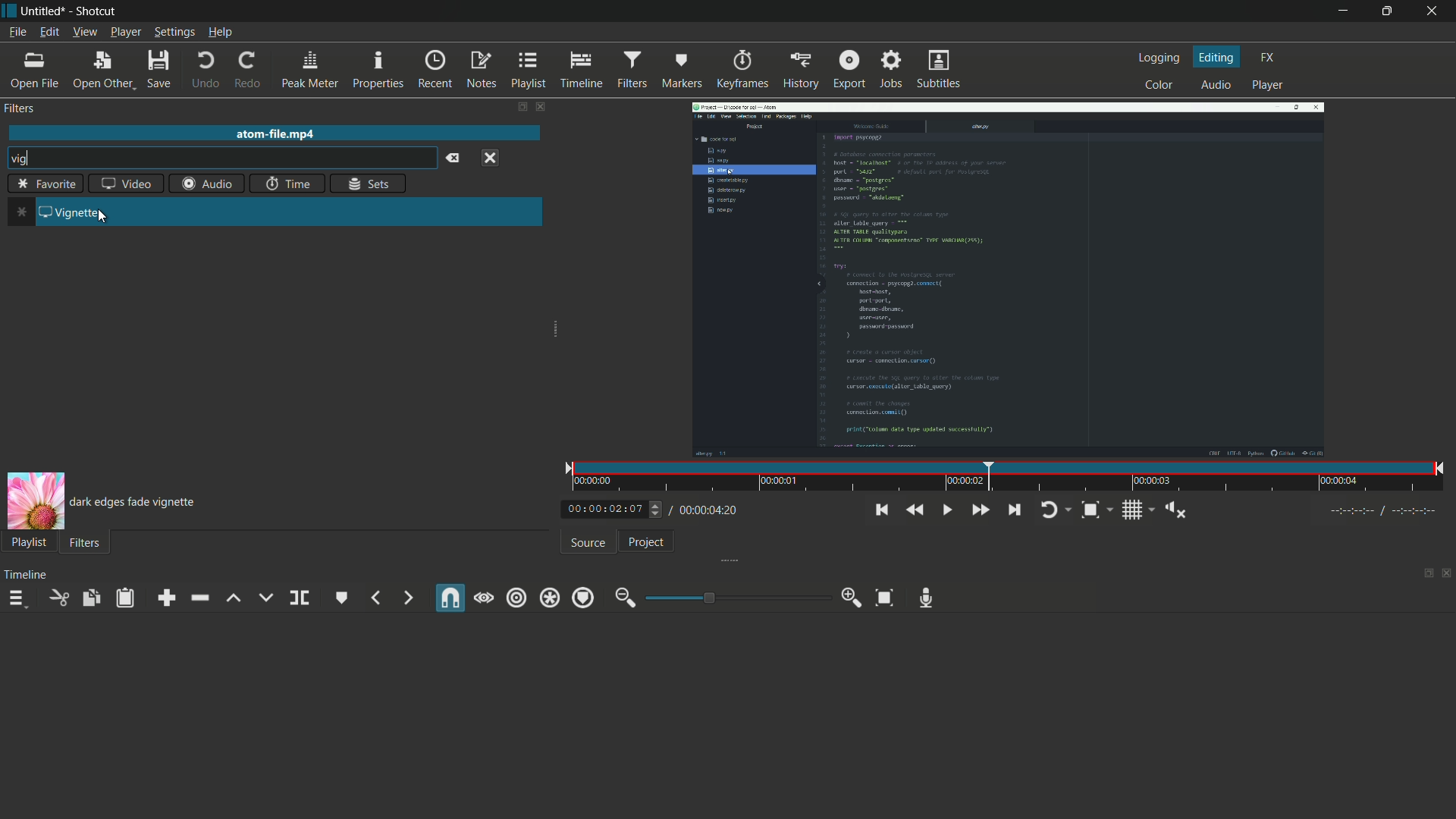 This screenshot has width=1456, height=819. I want to click on close filters, so click(545, 108).